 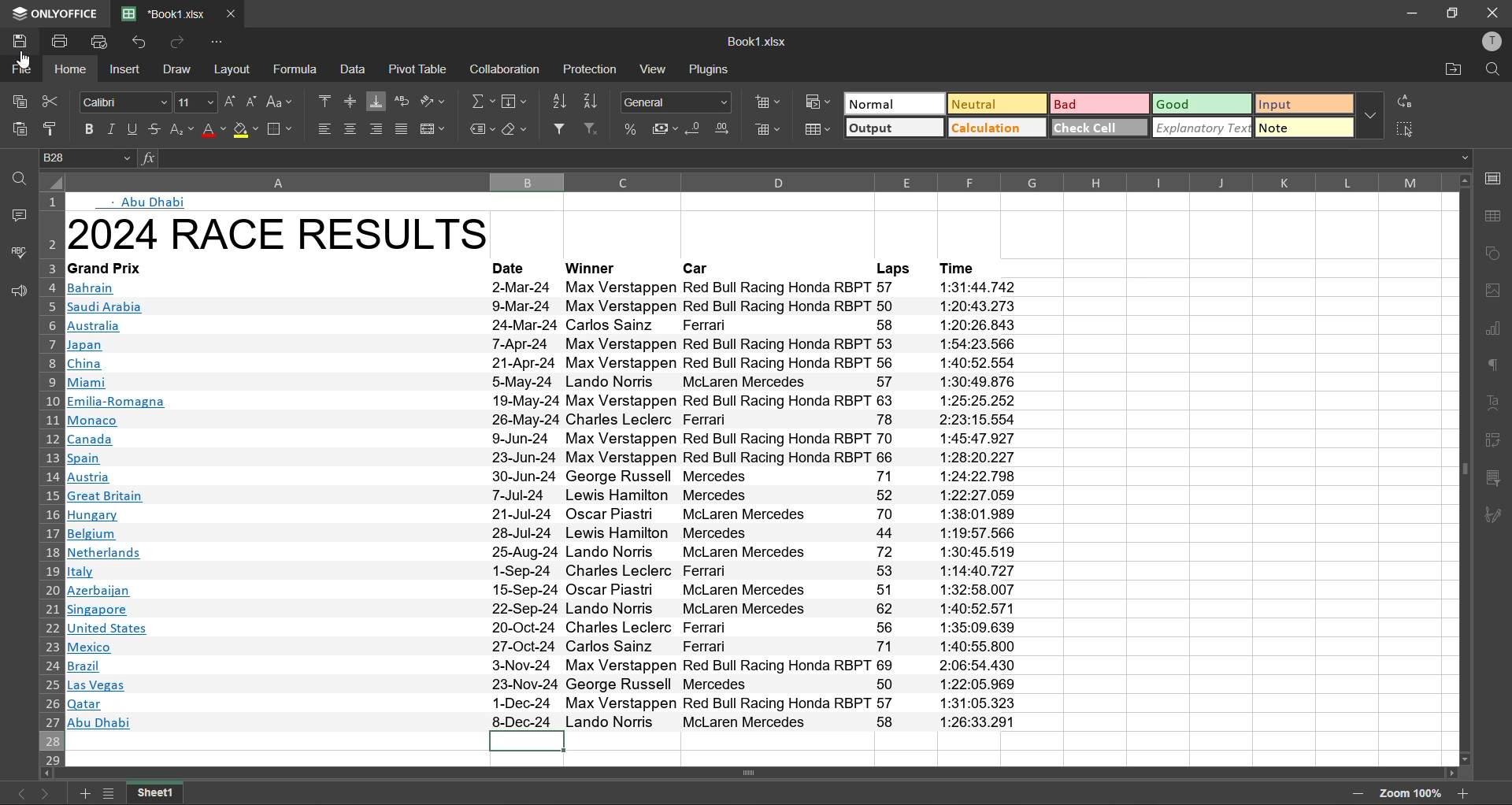 I want to click on increment size, so click(x=230, y=102).